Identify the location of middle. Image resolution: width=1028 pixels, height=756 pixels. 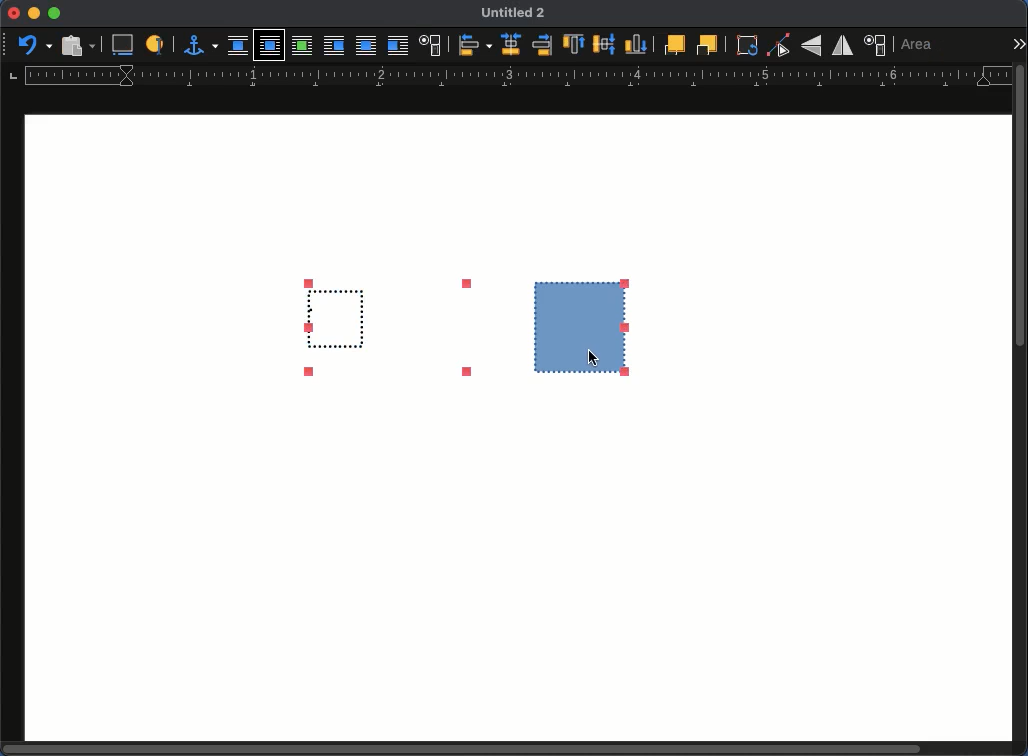
(605, 44).